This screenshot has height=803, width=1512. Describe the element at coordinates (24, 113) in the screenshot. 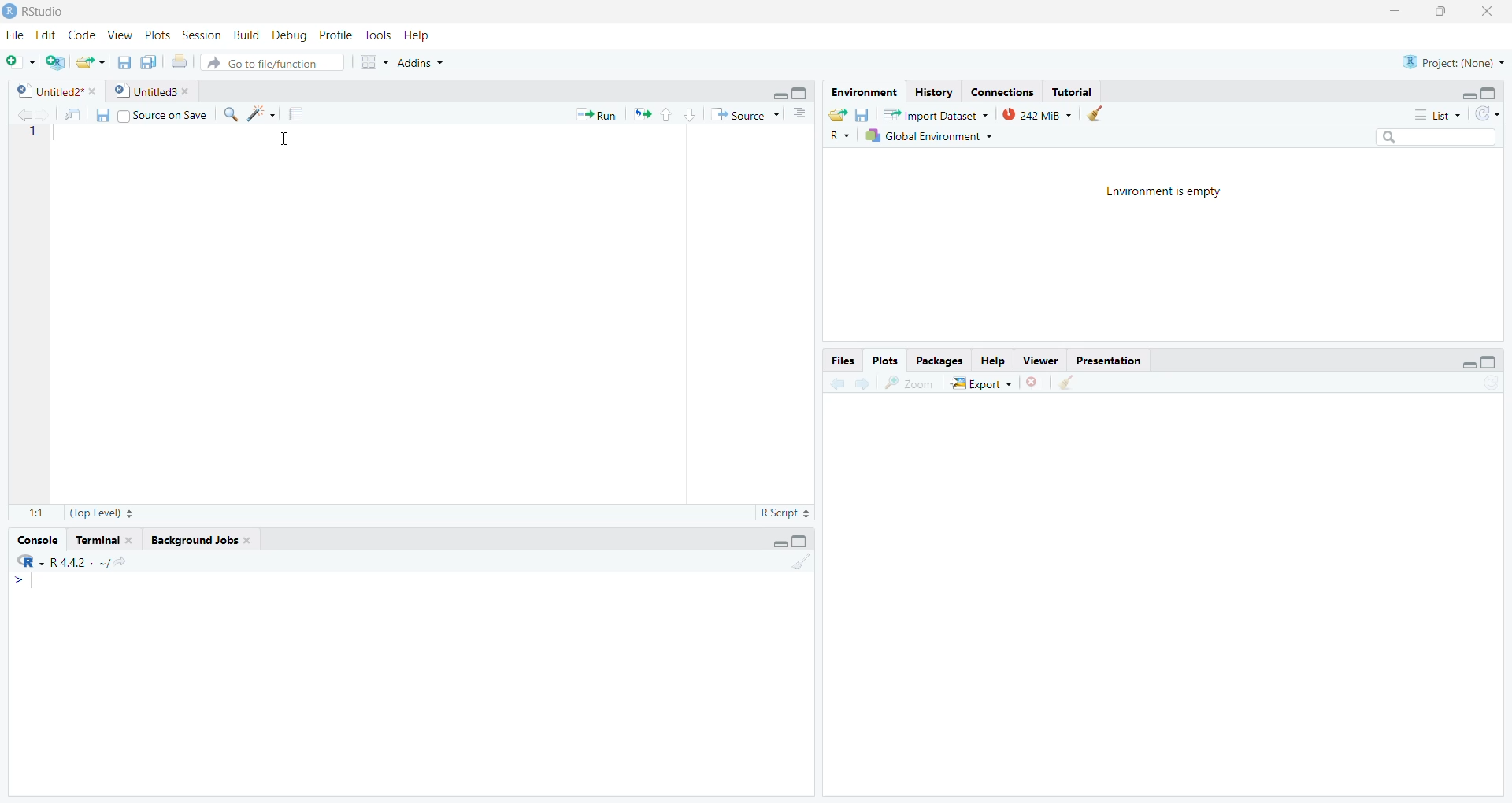

I see `move back` at that location.